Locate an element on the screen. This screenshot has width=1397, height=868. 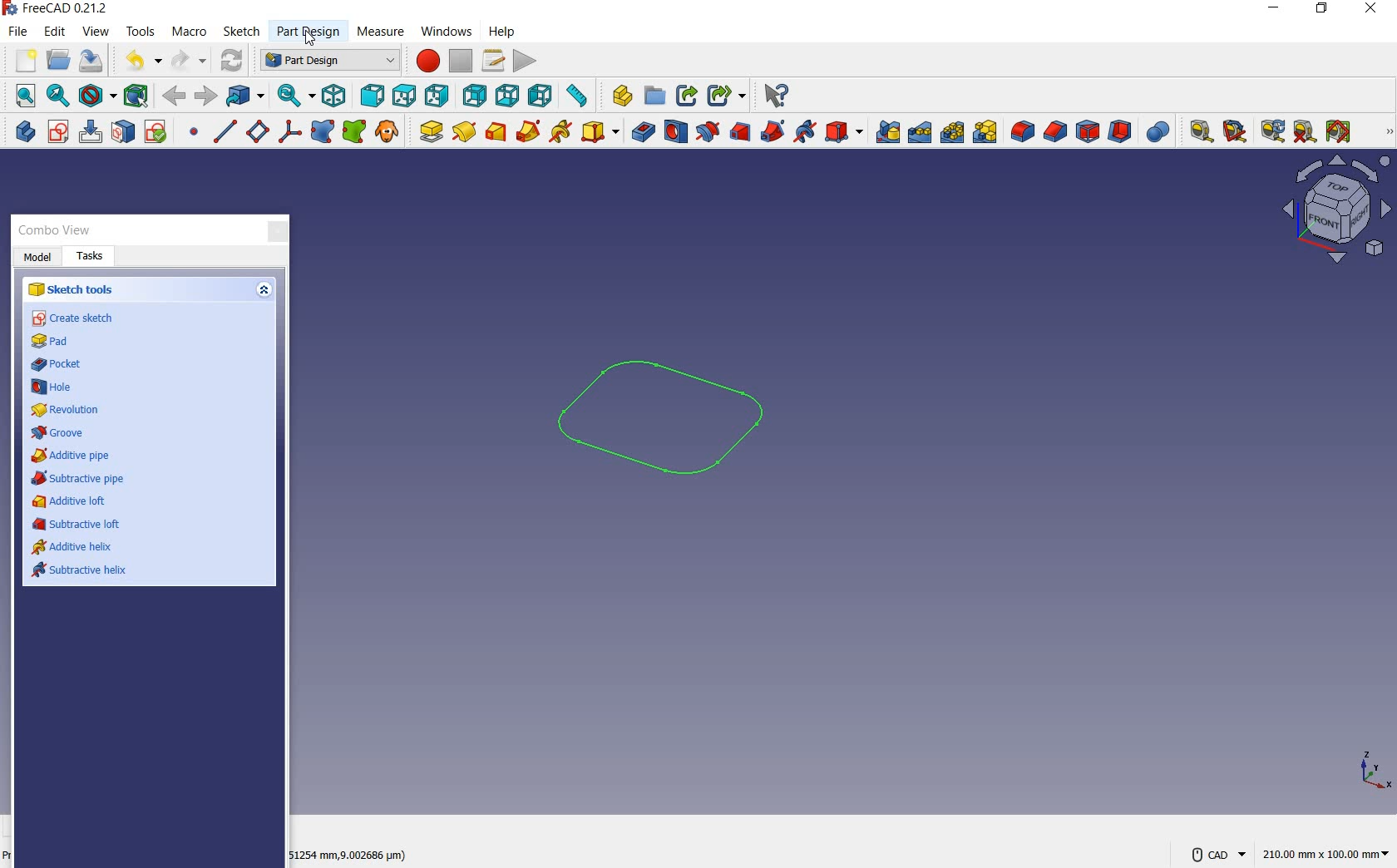
subtractive pipe is located at coordinates (78, 478).